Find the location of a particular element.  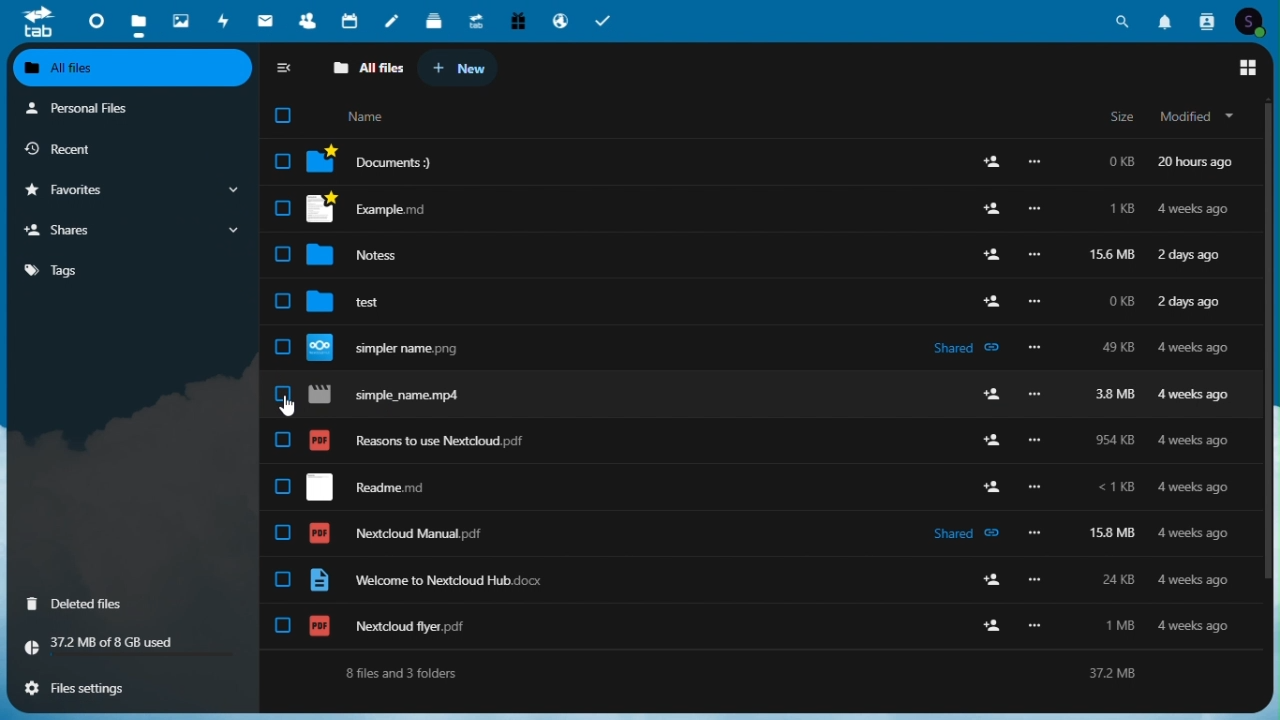

recent is located at coordinates (122, 148).